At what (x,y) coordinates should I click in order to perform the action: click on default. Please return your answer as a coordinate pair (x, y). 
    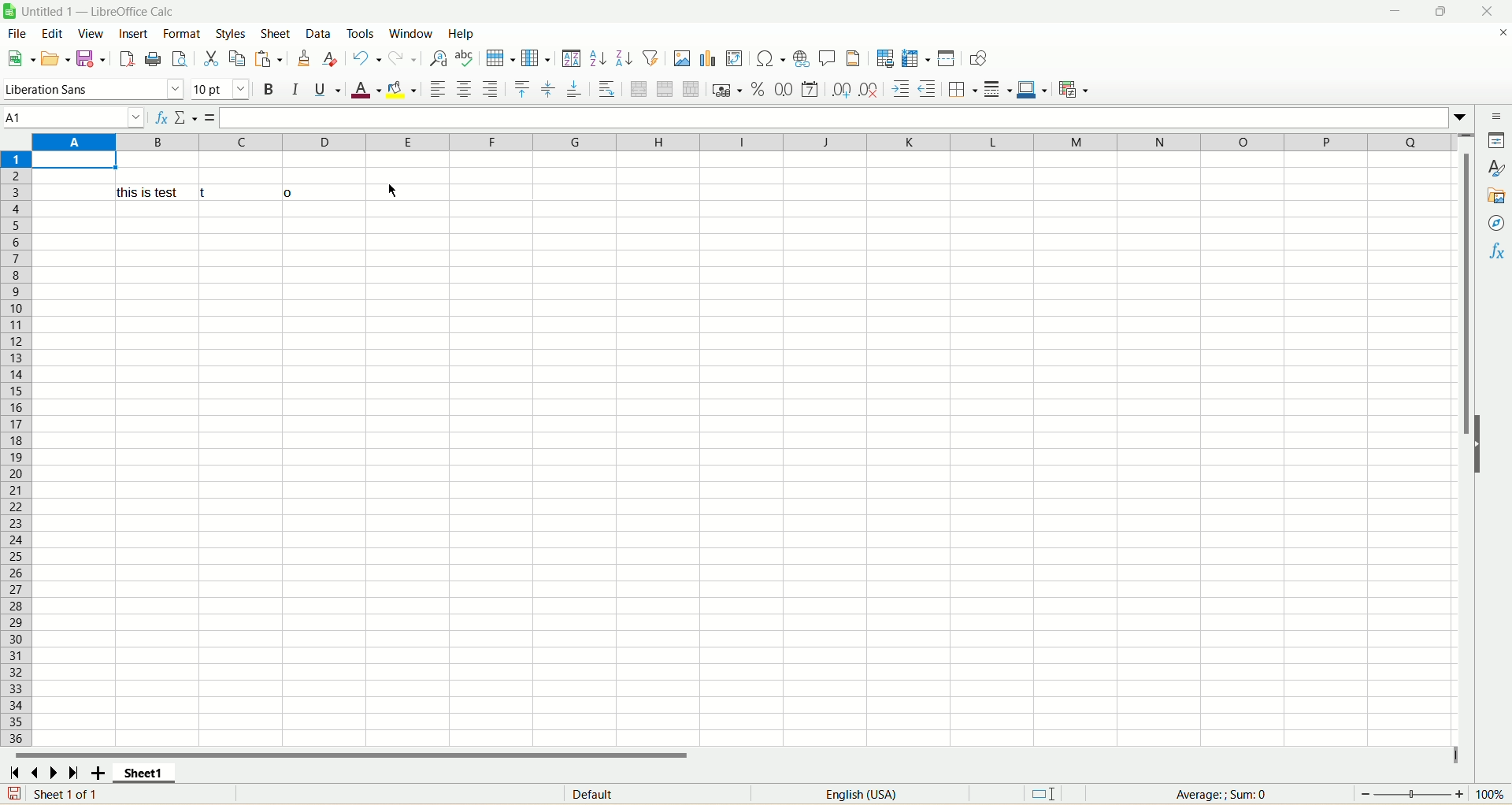
    Looking at the image, I should click on (608, 792).